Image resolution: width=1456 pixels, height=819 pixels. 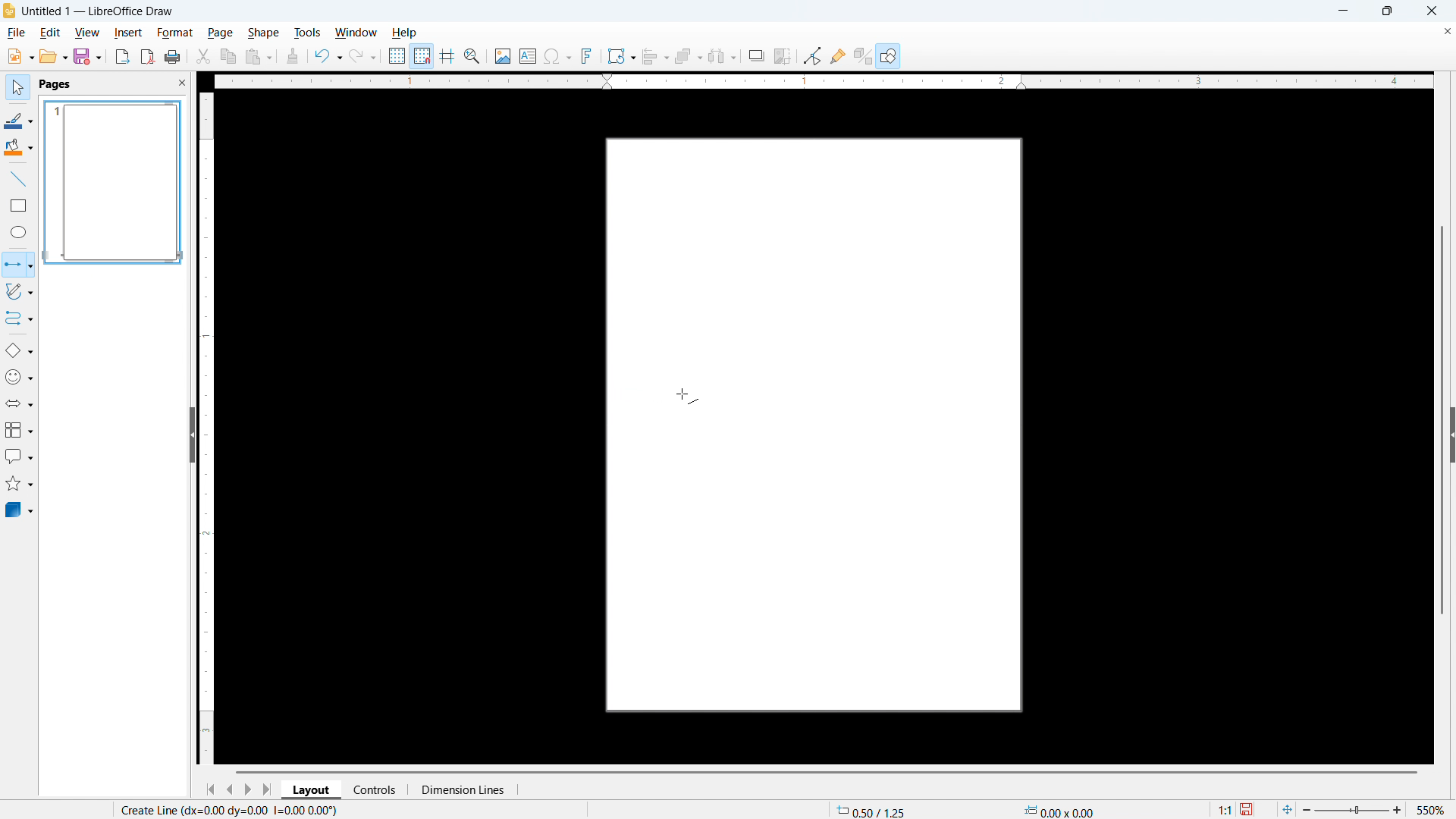 I want to click on Format , so click(x=174, y=32).